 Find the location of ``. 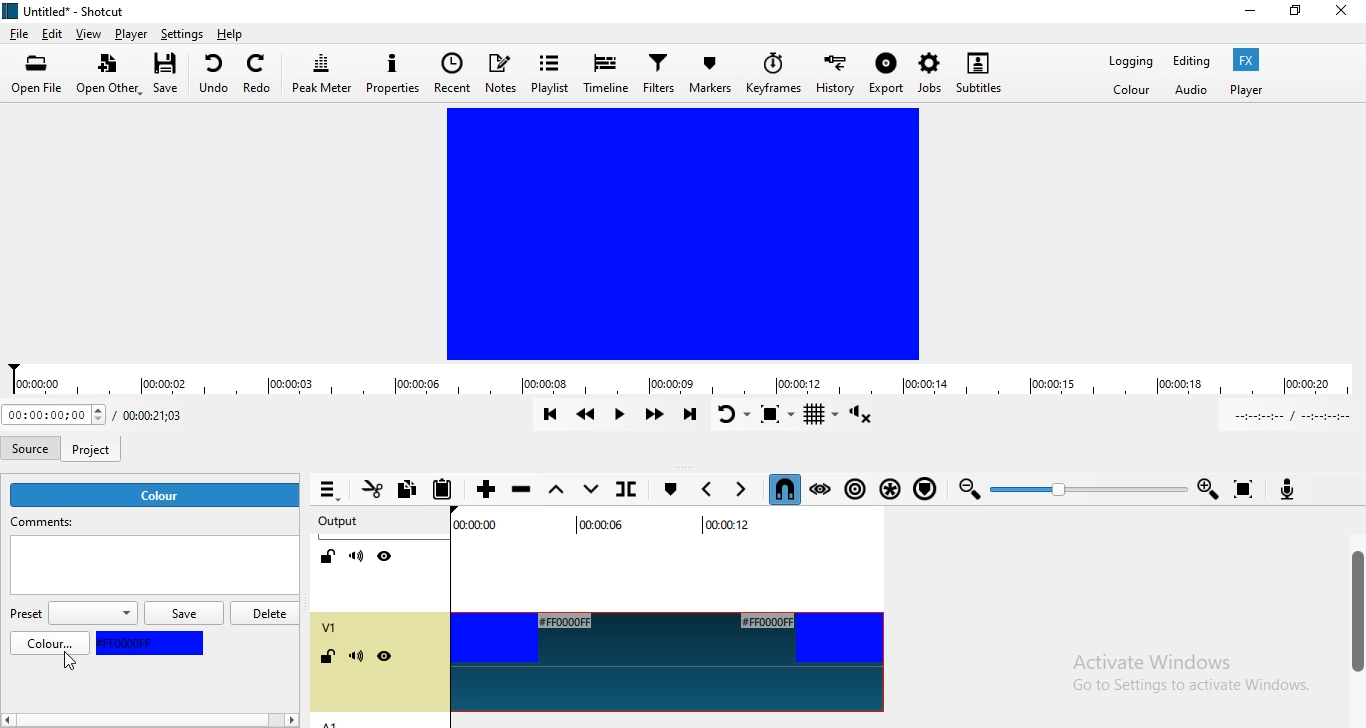

 is located at coordinates (693, 414).